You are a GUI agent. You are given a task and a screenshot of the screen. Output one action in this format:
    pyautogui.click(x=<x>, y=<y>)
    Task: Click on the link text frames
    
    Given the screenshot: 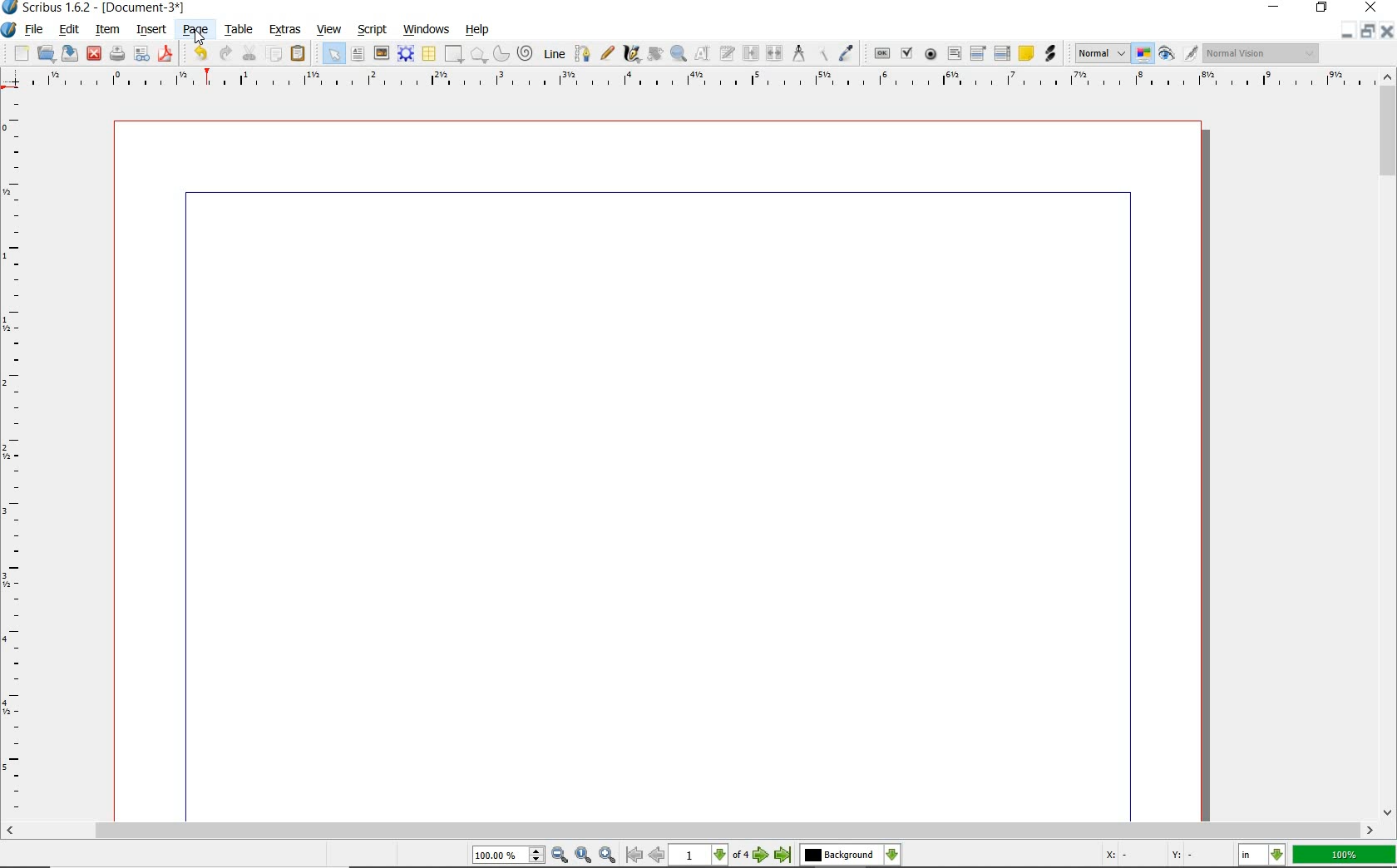 What is the action you would take?
    pyautogui.click(x=753, y=53)
    